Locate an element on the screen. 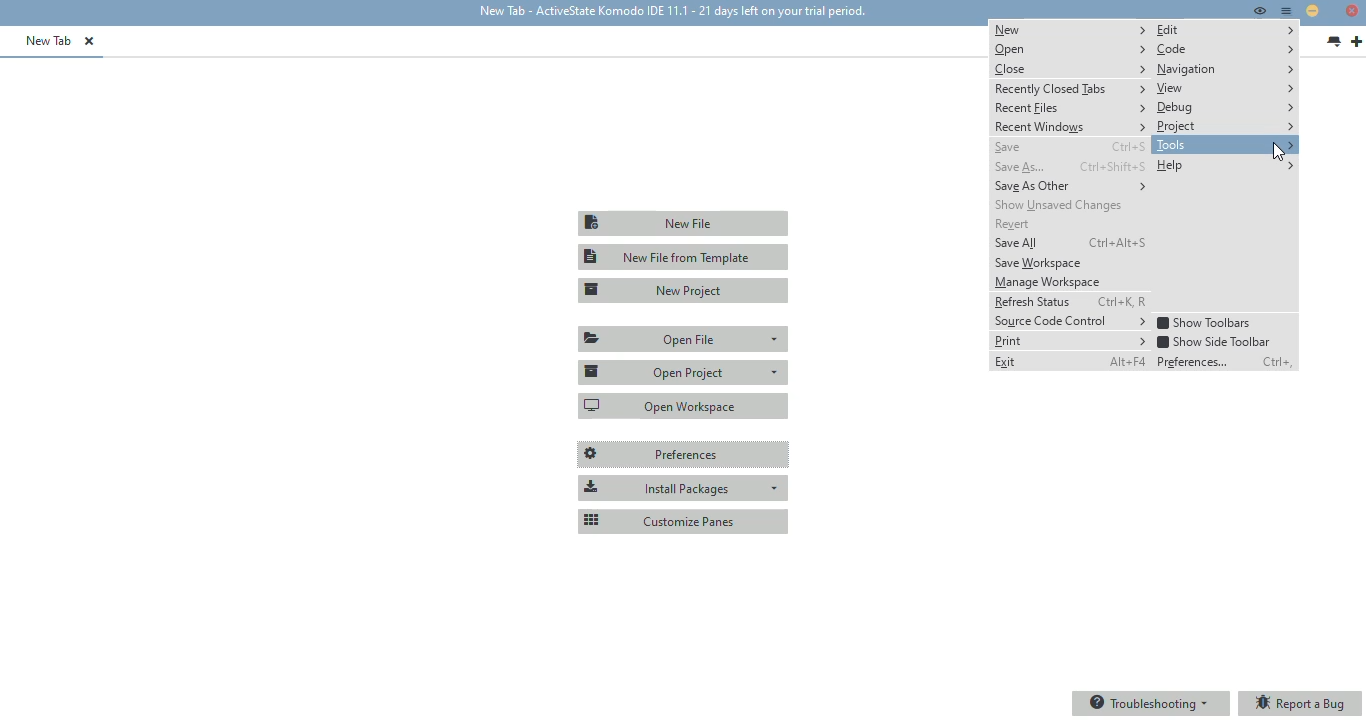 The image size is (1366, 720). view is located at coordinates (1225, 88).